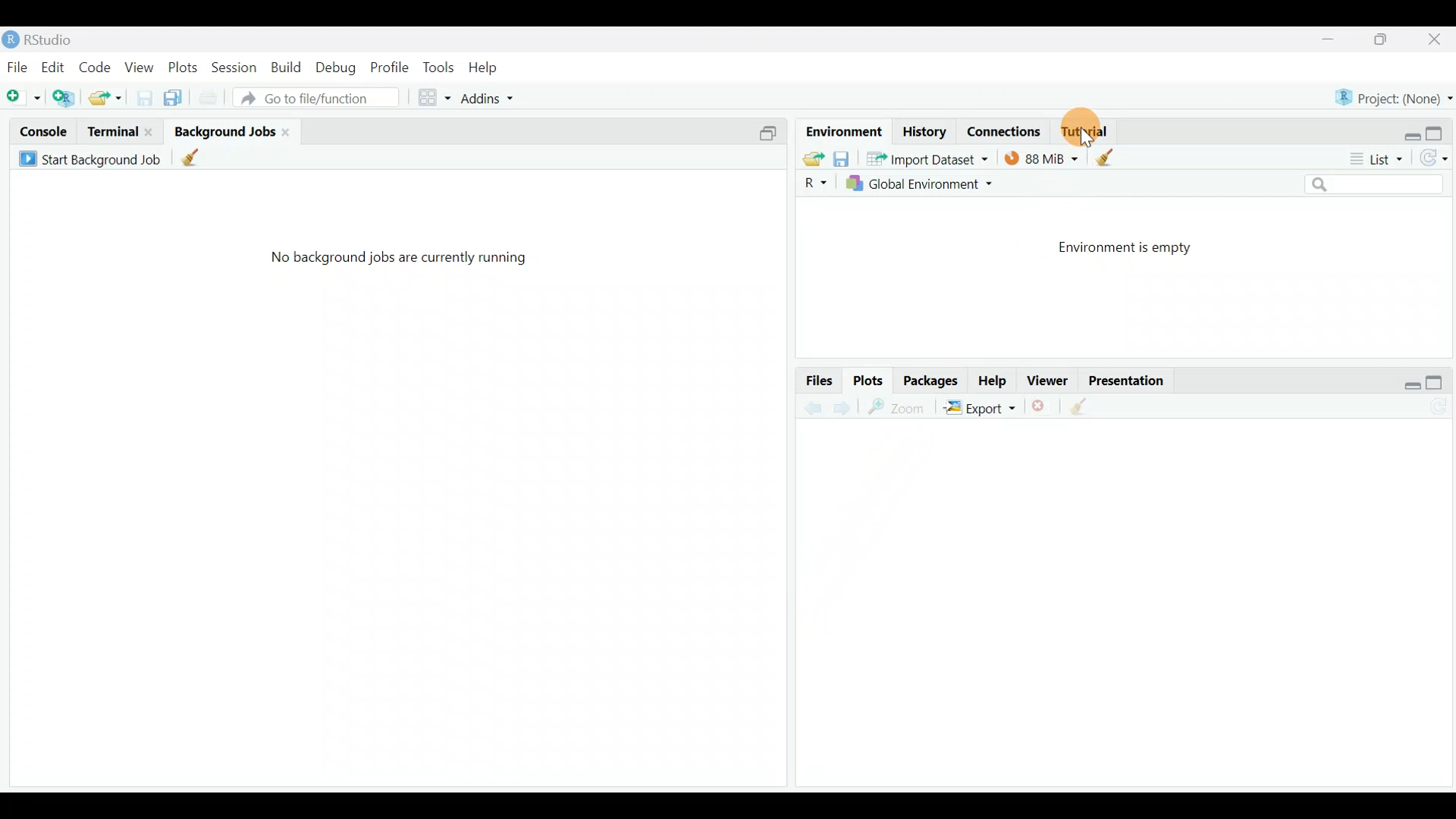 The width and height of the screenshot is (1456, 819). What do you see at coordinates (1084, 127) in the screenshot?
I see `Tutorial` at bounding box center [1084, 127].